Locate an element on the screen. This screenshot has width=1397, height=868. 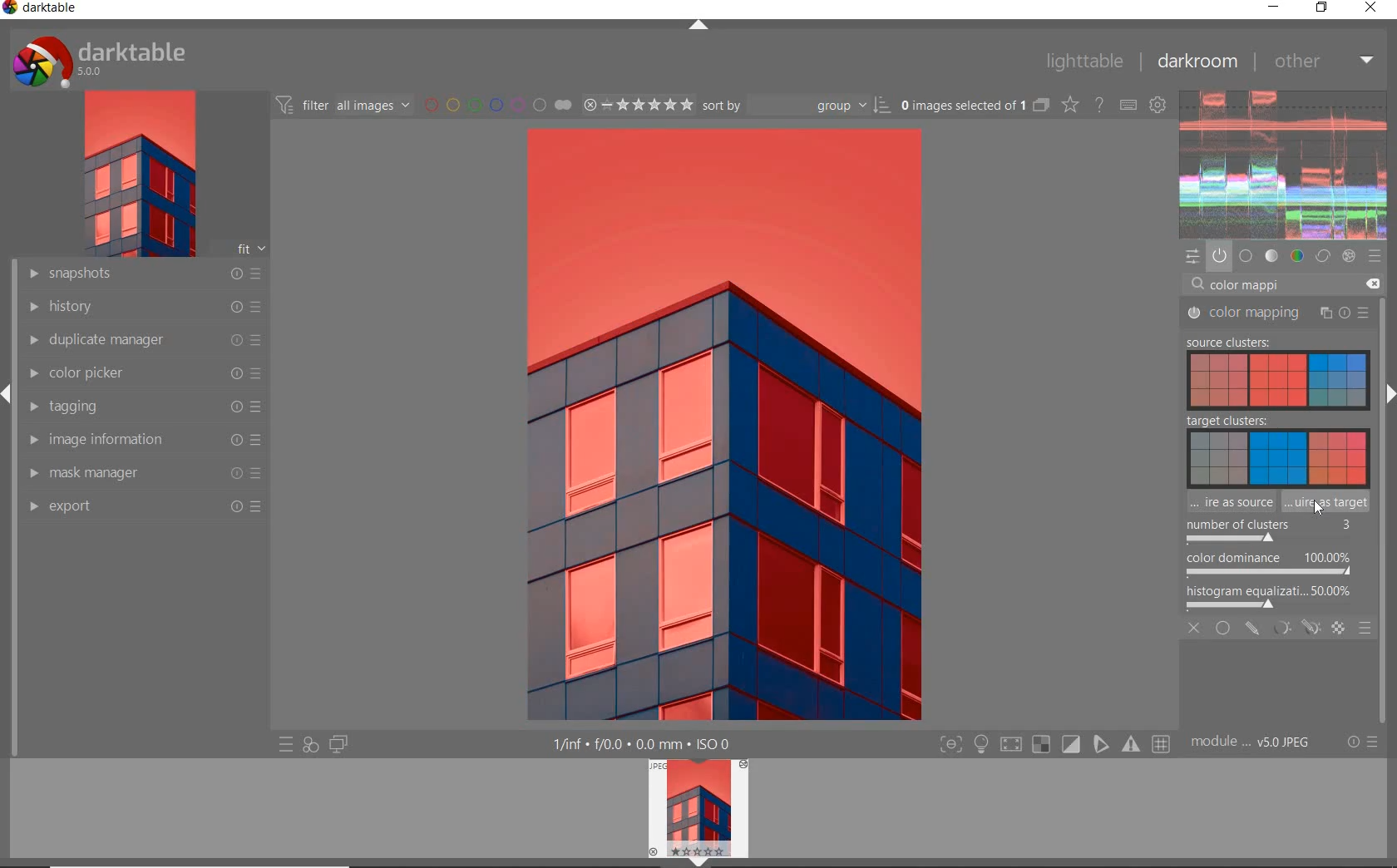
BLENDING OPTIONS is located at coordinates (1365, 629).